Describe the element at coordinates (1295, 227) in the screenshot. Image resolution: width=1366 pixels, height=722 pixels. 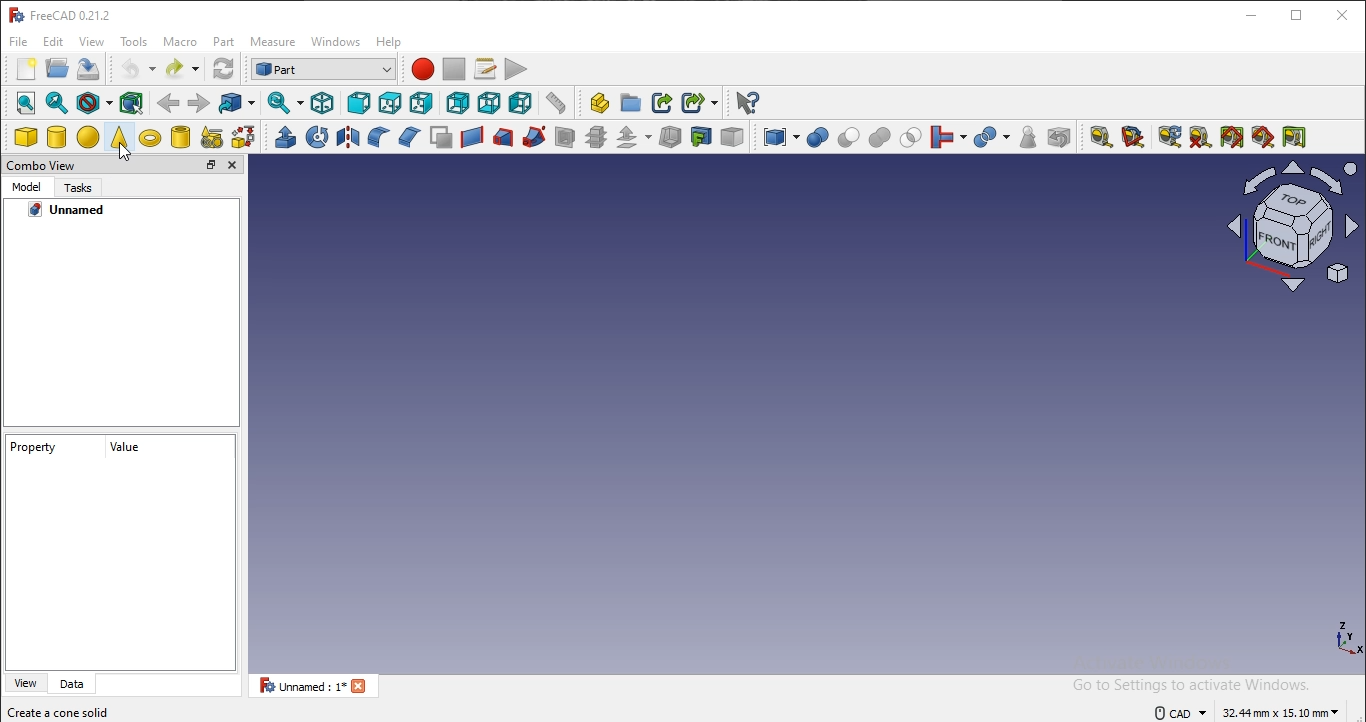
I see `icon` at that location.